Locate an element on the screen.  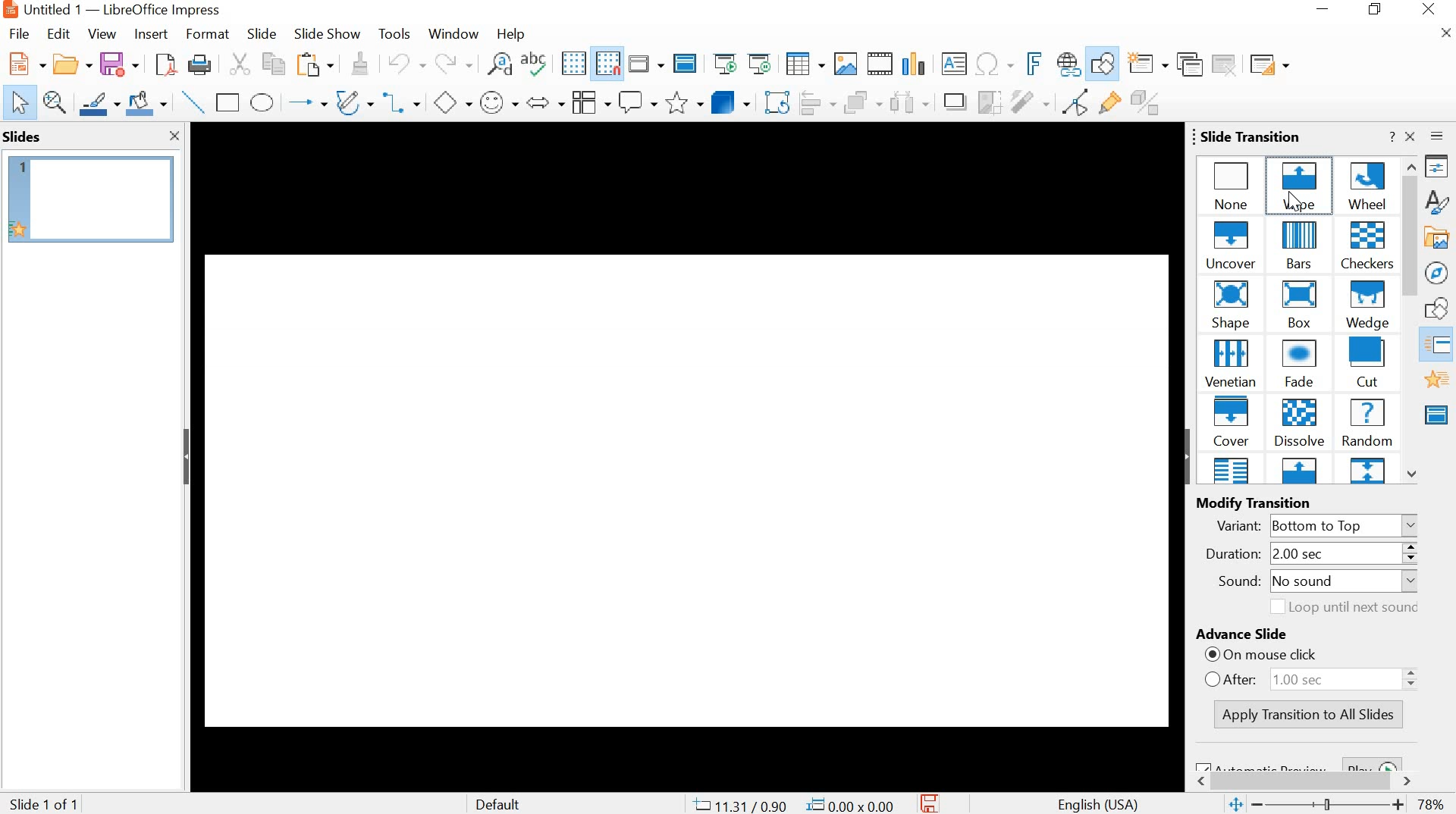
Master slides is located at coordinates (1439, 413).